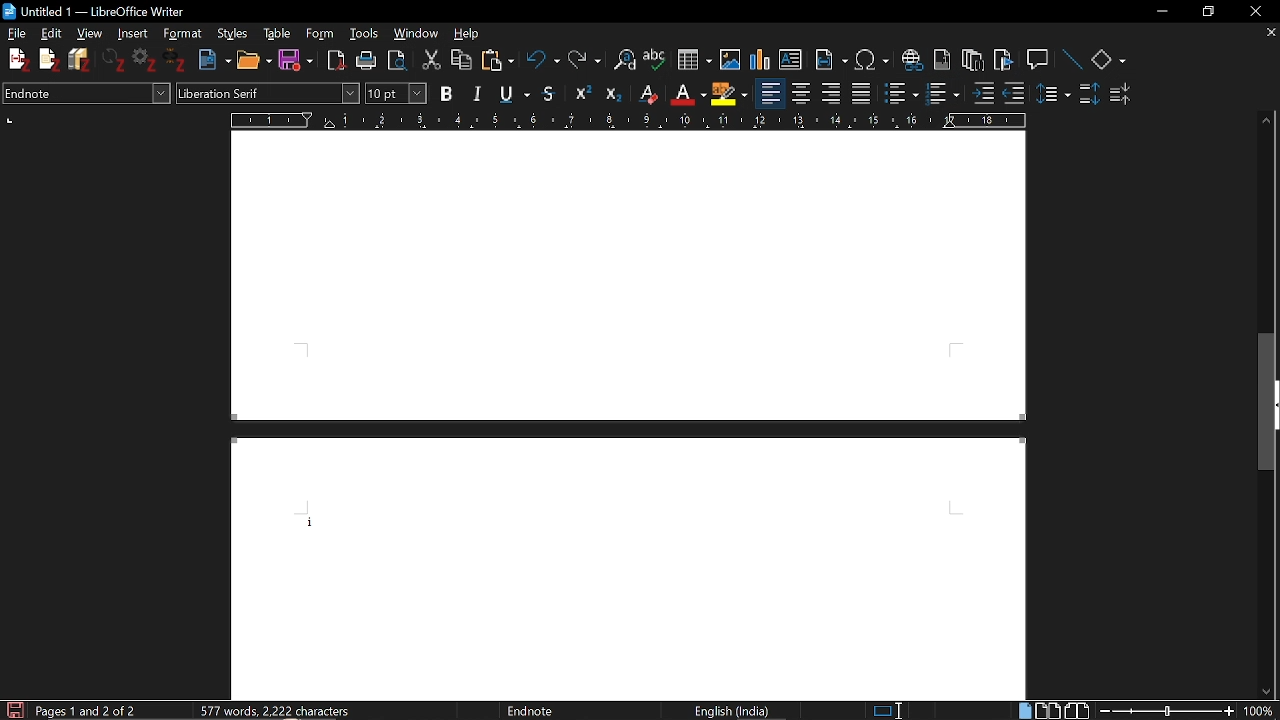 The image size is (1280, 720). What do you see at coordinates (448, 93) in the screenshot?
I see `Bold` at bounding box center [448, 93].